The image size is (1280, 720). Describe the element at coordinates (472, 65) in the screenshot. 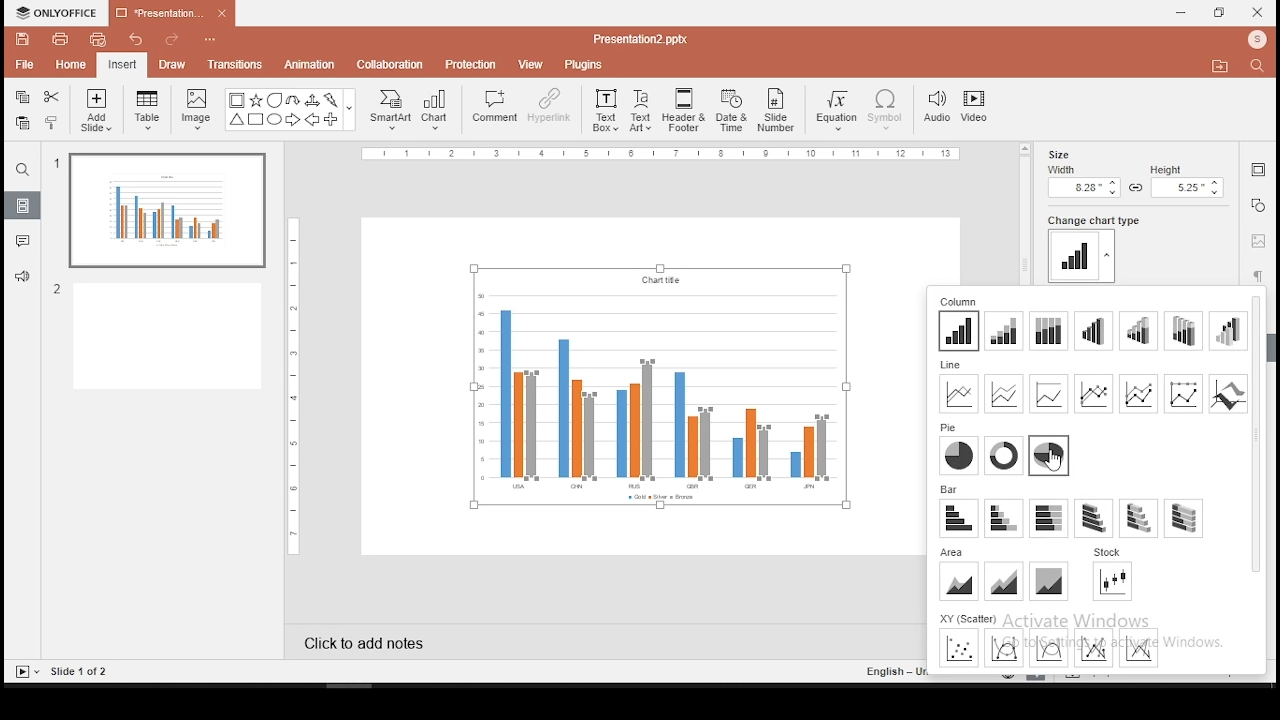

I see `protection` at that location.